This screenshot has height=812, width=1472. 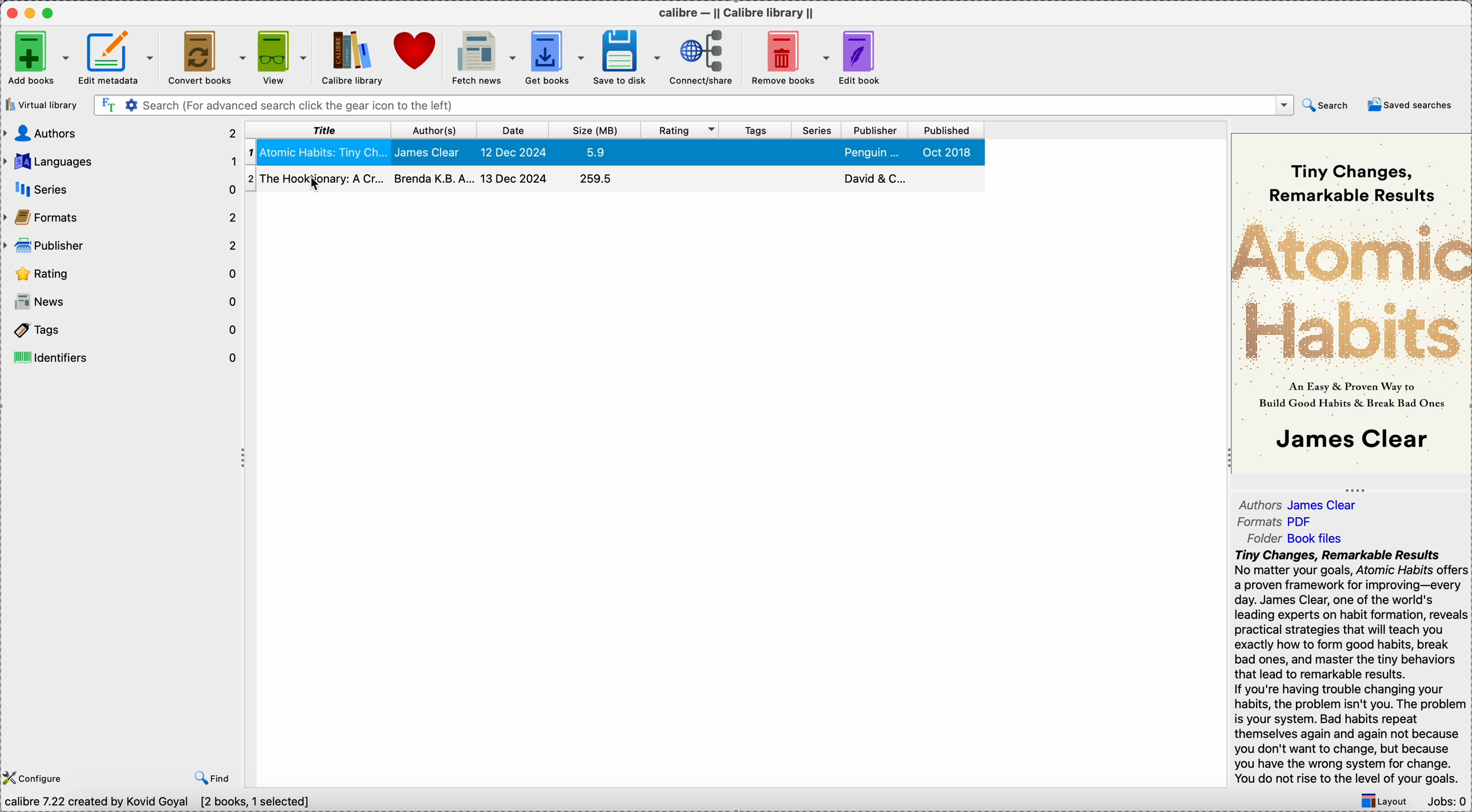 What do you see at coordinates (38, 59) in the screenshot?
I see `add books` at bounding box center [38, 59].